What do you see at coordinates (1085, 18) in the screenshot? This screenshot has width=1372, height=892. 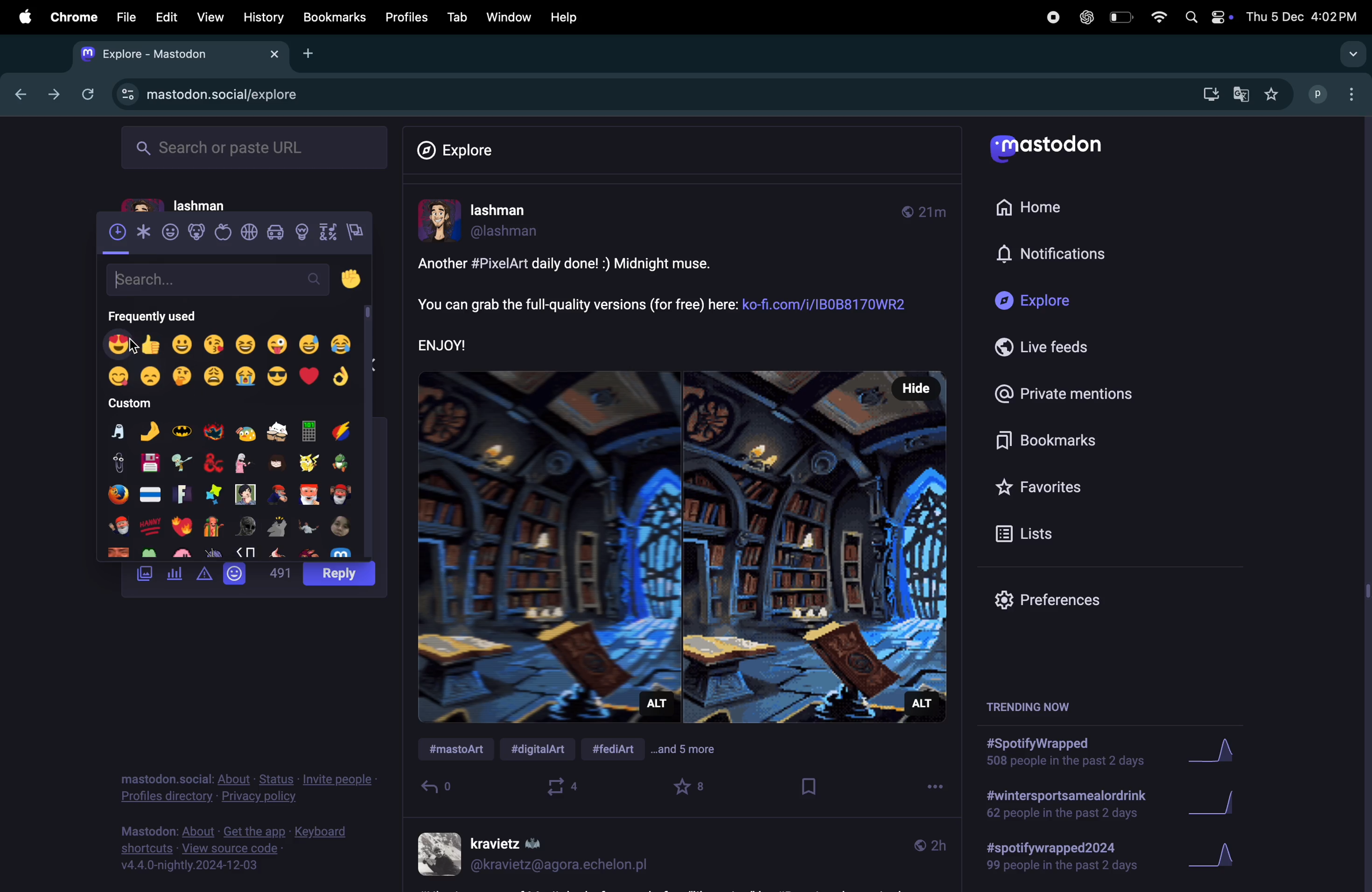 I see `chatgpt` at bounding box center [1085, 18].